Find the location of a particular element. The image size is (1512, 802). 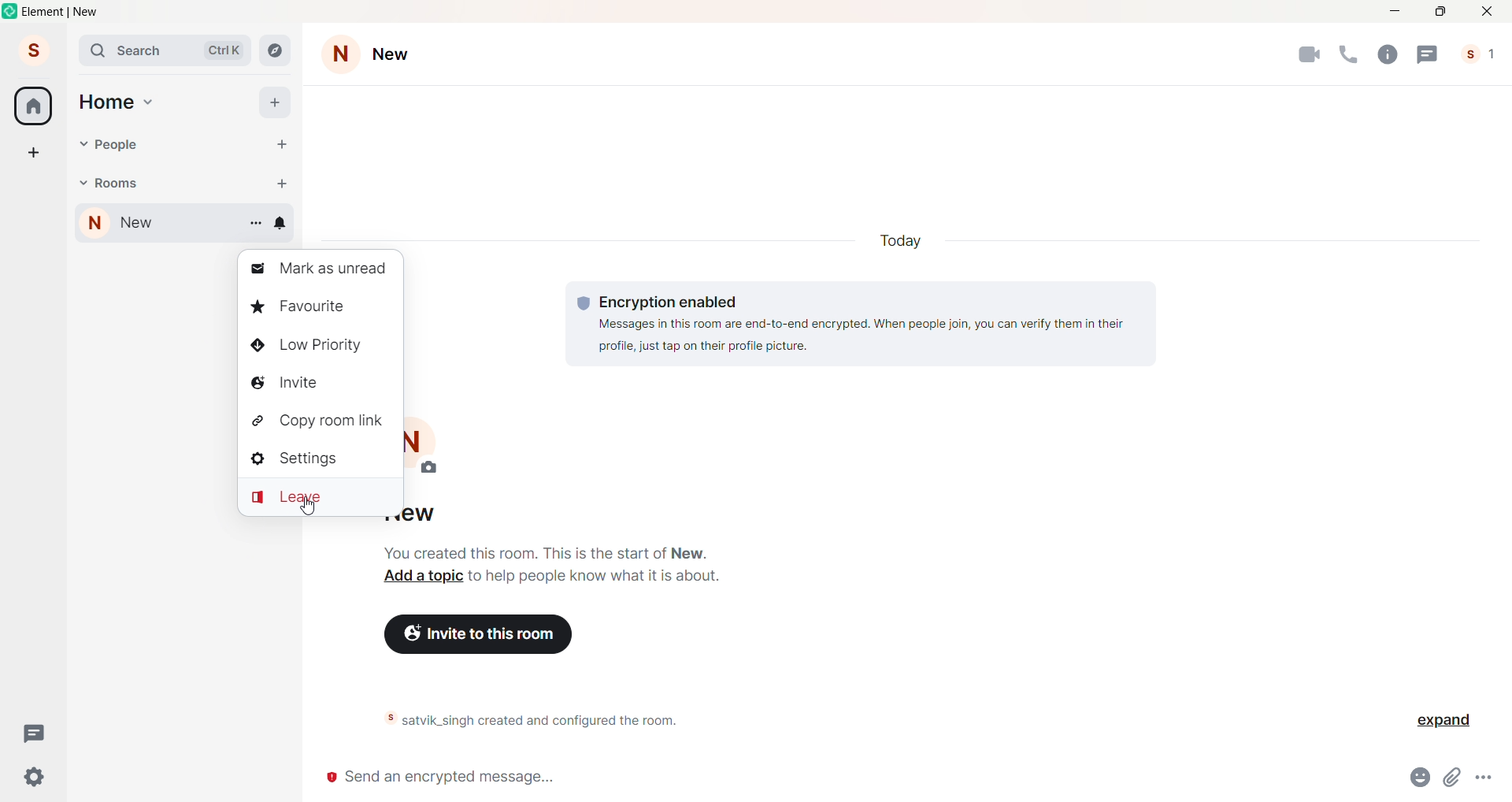

notification options is located at coordinates (284, 225).